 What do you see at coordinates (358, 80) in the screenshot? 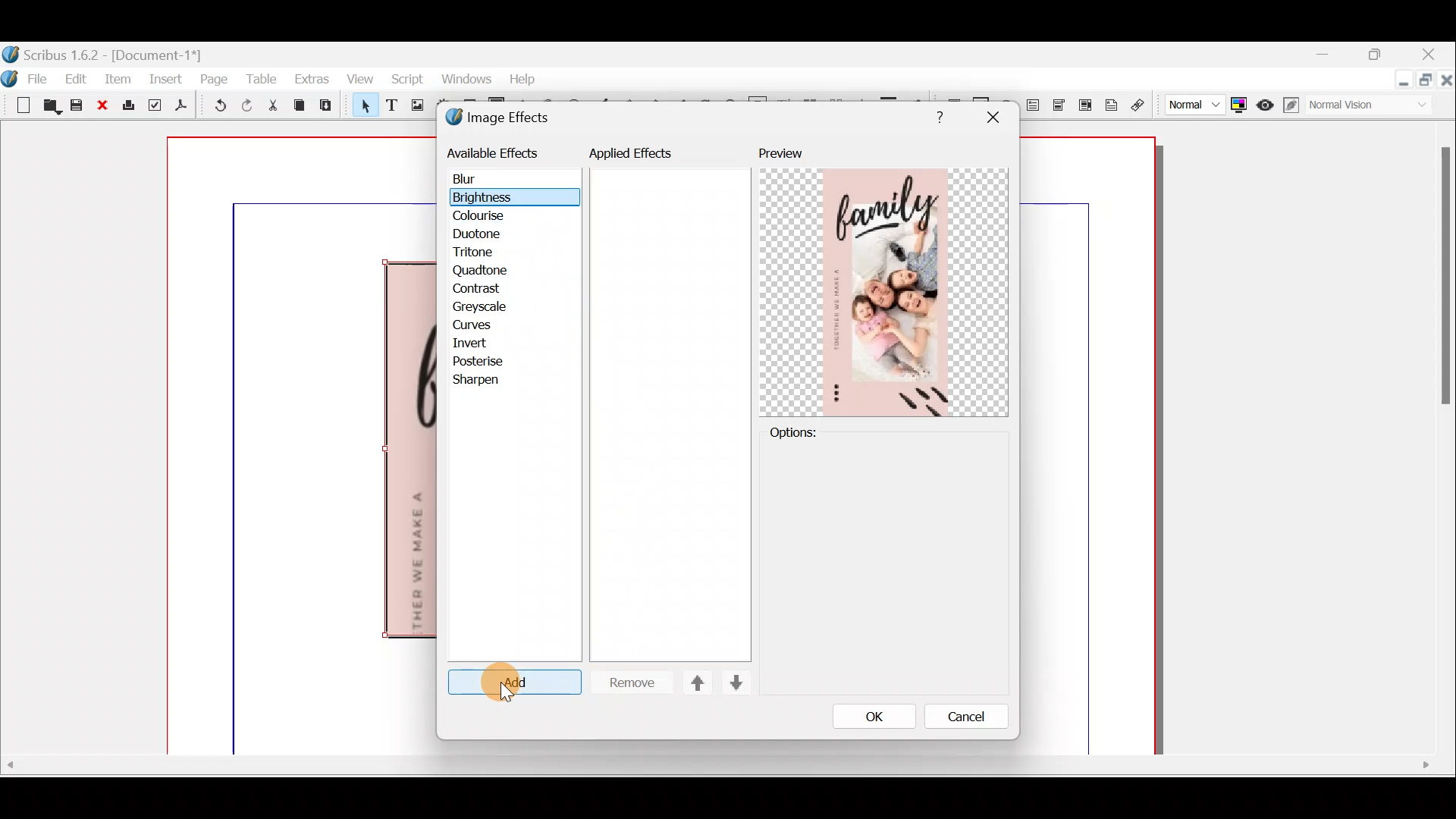
I see `View` at bounding box center [358, 80].